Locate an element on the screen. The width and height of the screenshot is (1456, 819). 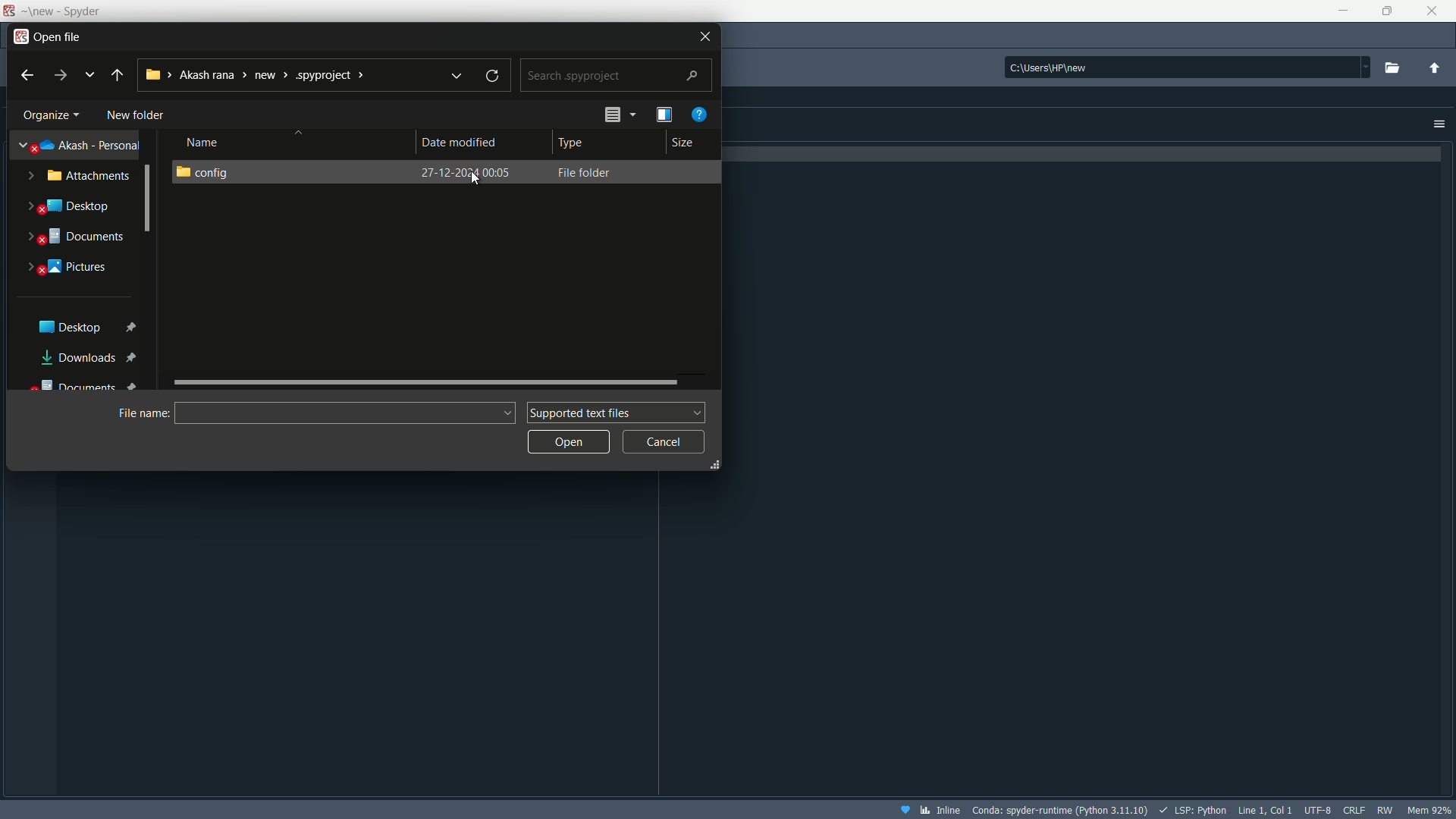
back is located at coordinates (118, 76).